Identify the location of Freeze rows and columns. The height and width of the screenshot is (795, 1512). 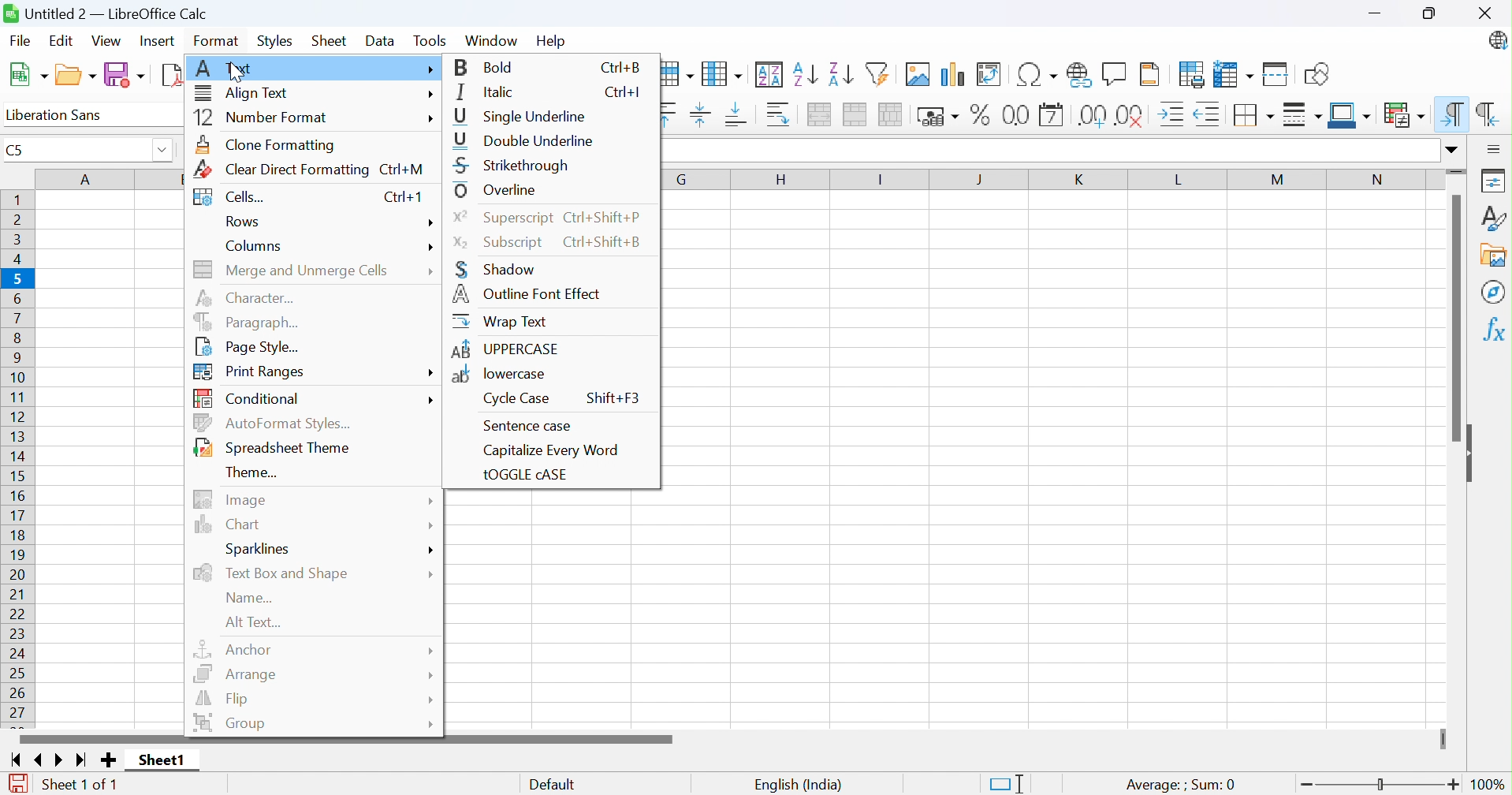
(1234, 75).